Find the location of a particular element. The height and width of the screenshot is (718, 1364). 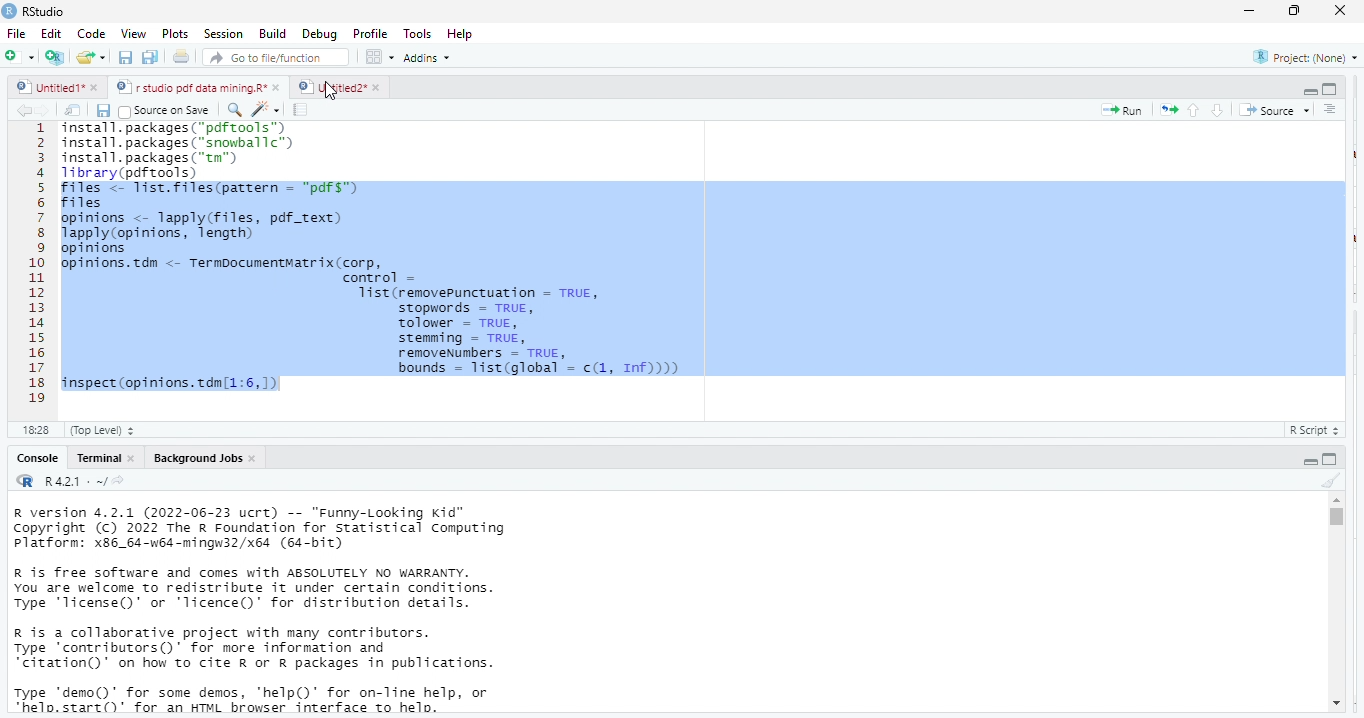

close is located at coordinates (98, 89).